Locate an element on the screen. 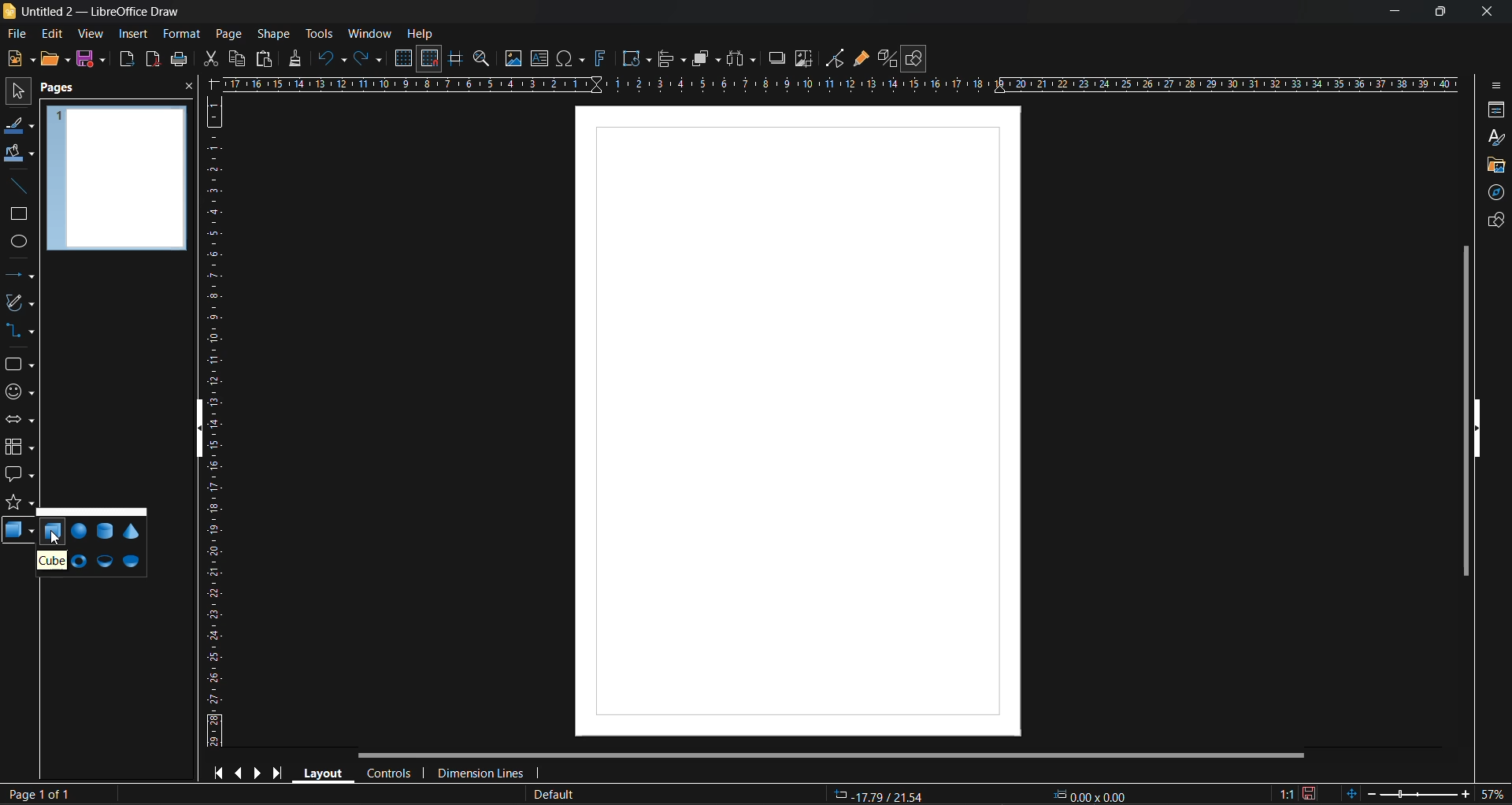 This screenshot has width=1512, height=805. shadow is located at coordinates (775, 57).